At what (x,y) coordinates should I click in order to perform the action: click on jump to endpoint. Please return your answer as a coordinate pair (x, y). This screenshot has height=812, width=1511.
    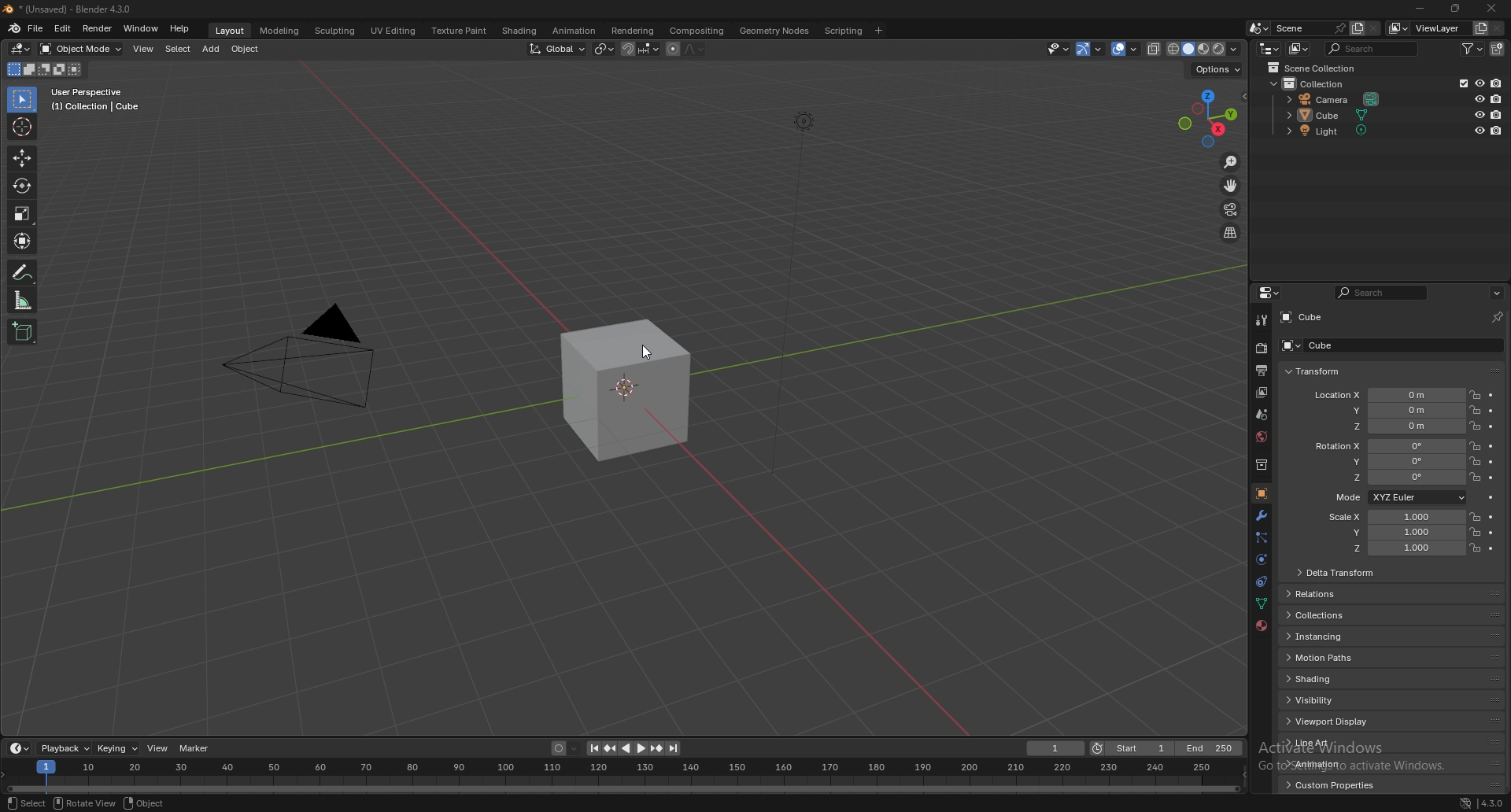
    Looking at the image, I should click on (592, 748).